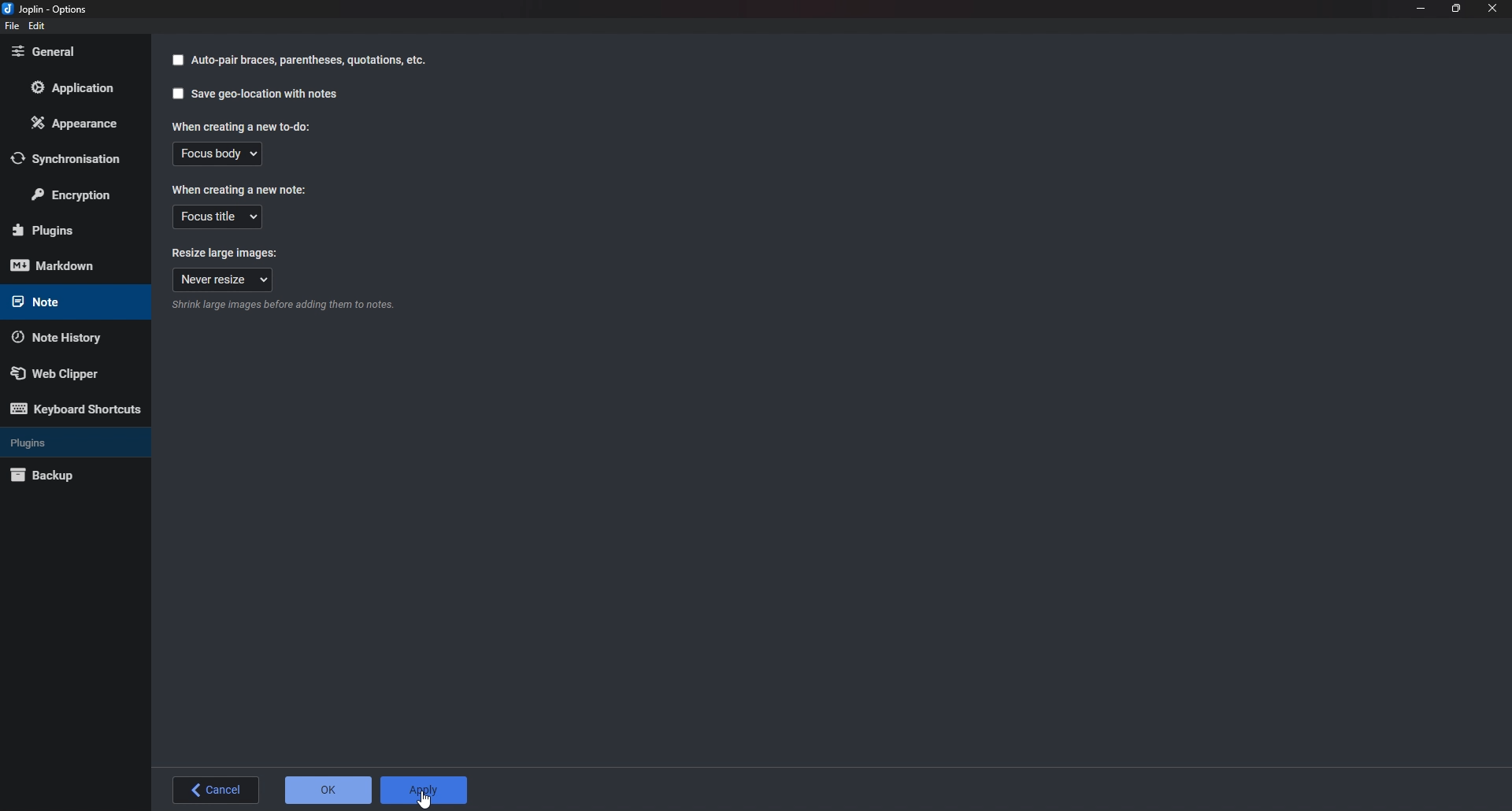 The image size is (1512, 811). Describe the element at coordinates (227, 254) in the screenshot. I see `Resize large images` at that location.